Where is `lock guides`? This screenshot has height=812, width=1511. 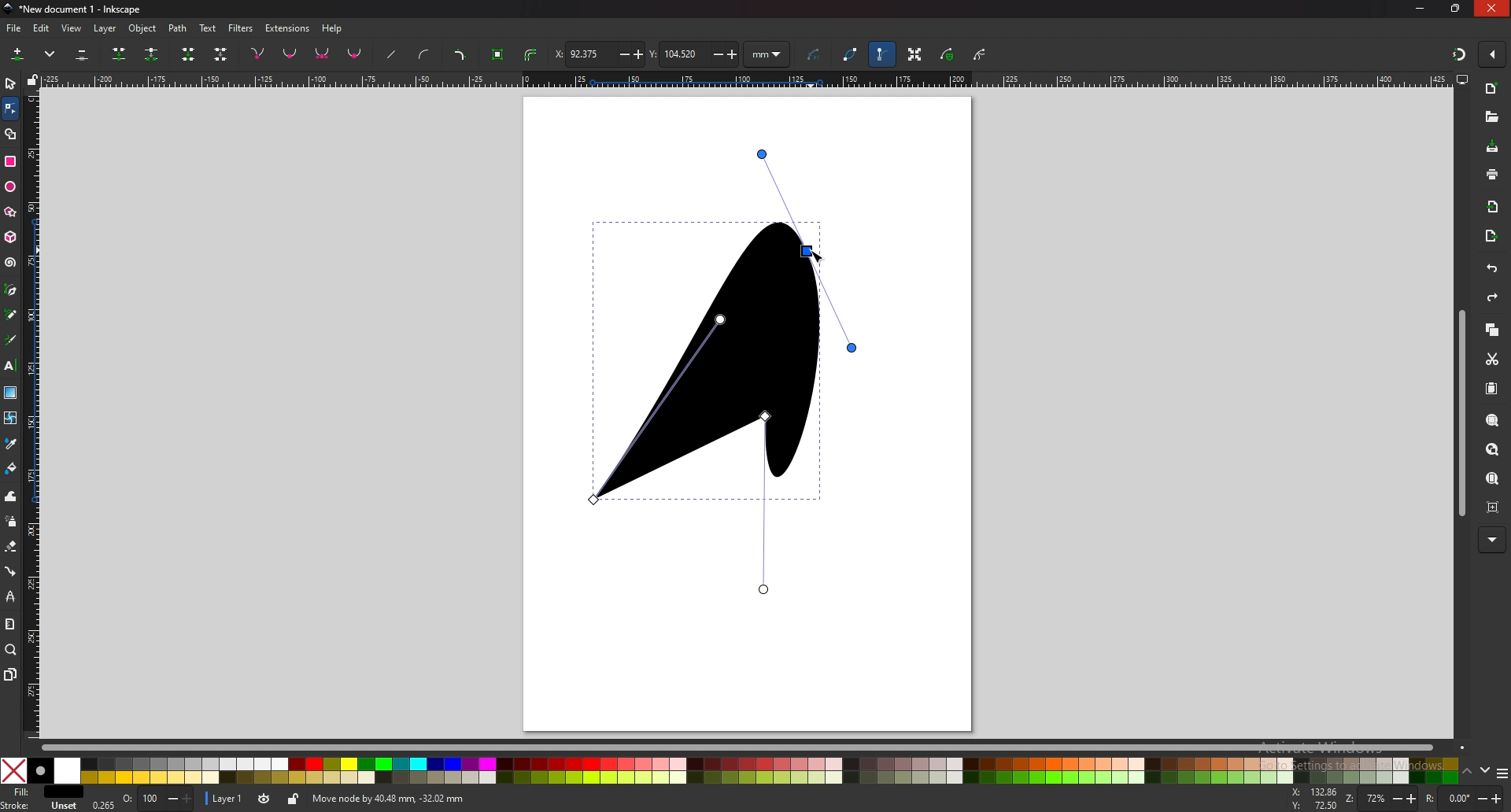 lock guides is located at coordinates (32, 79).